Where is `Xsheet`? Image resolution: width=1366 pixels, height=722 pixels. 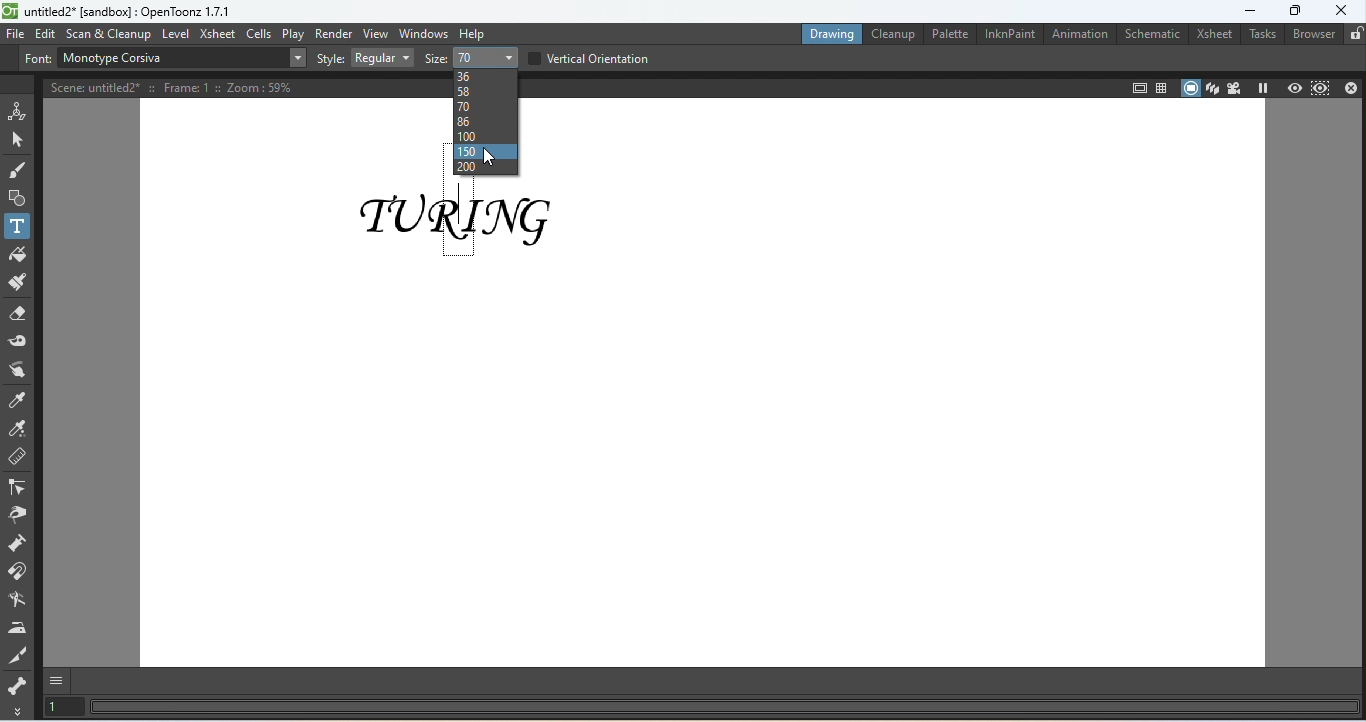
Xsheet is located at coordinates (218, 33).